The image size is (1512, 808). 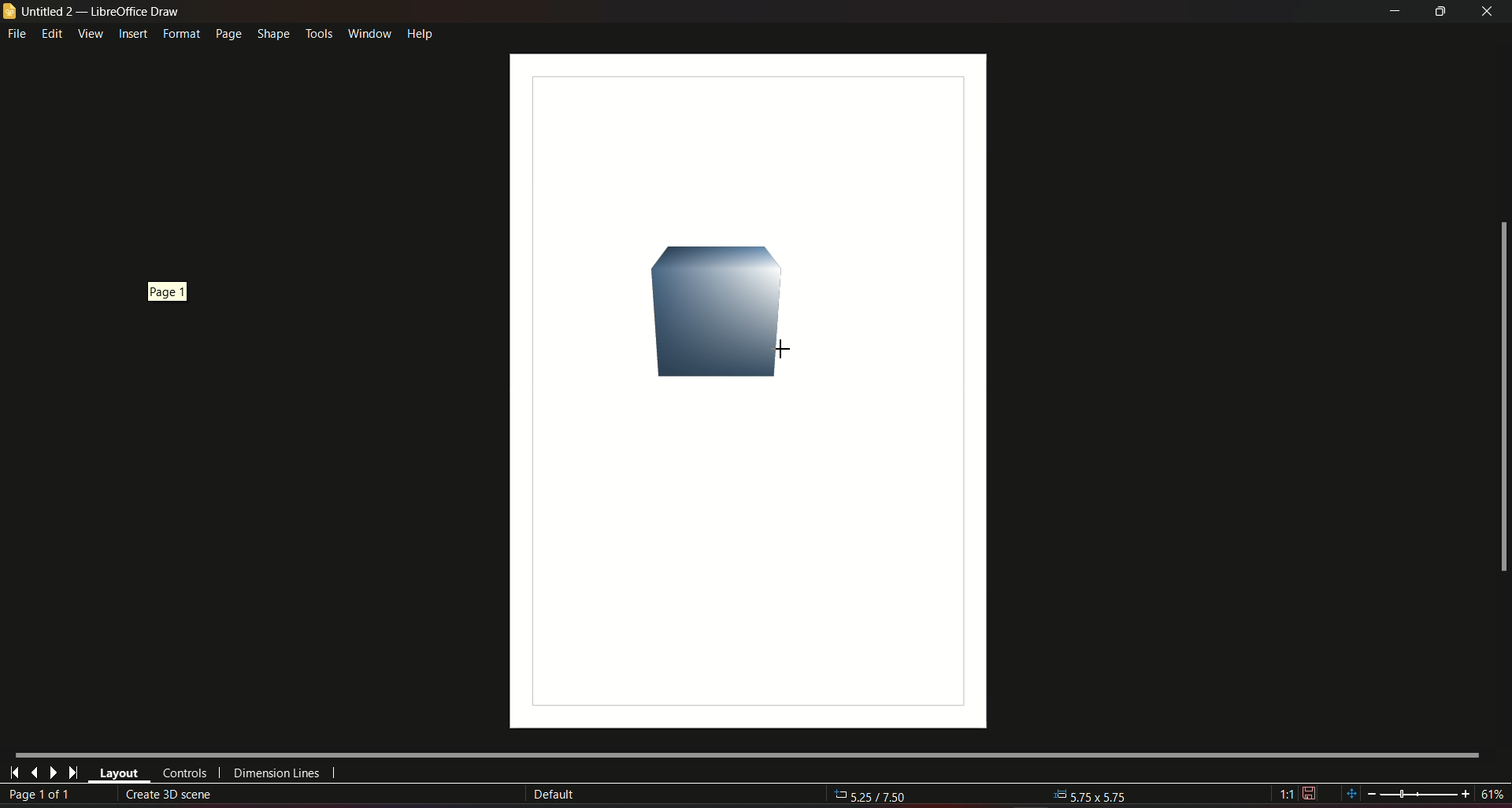 What do you see at coordinates (18, 35) in the screenshot?
I see `file` at bounding box center [18, 35].